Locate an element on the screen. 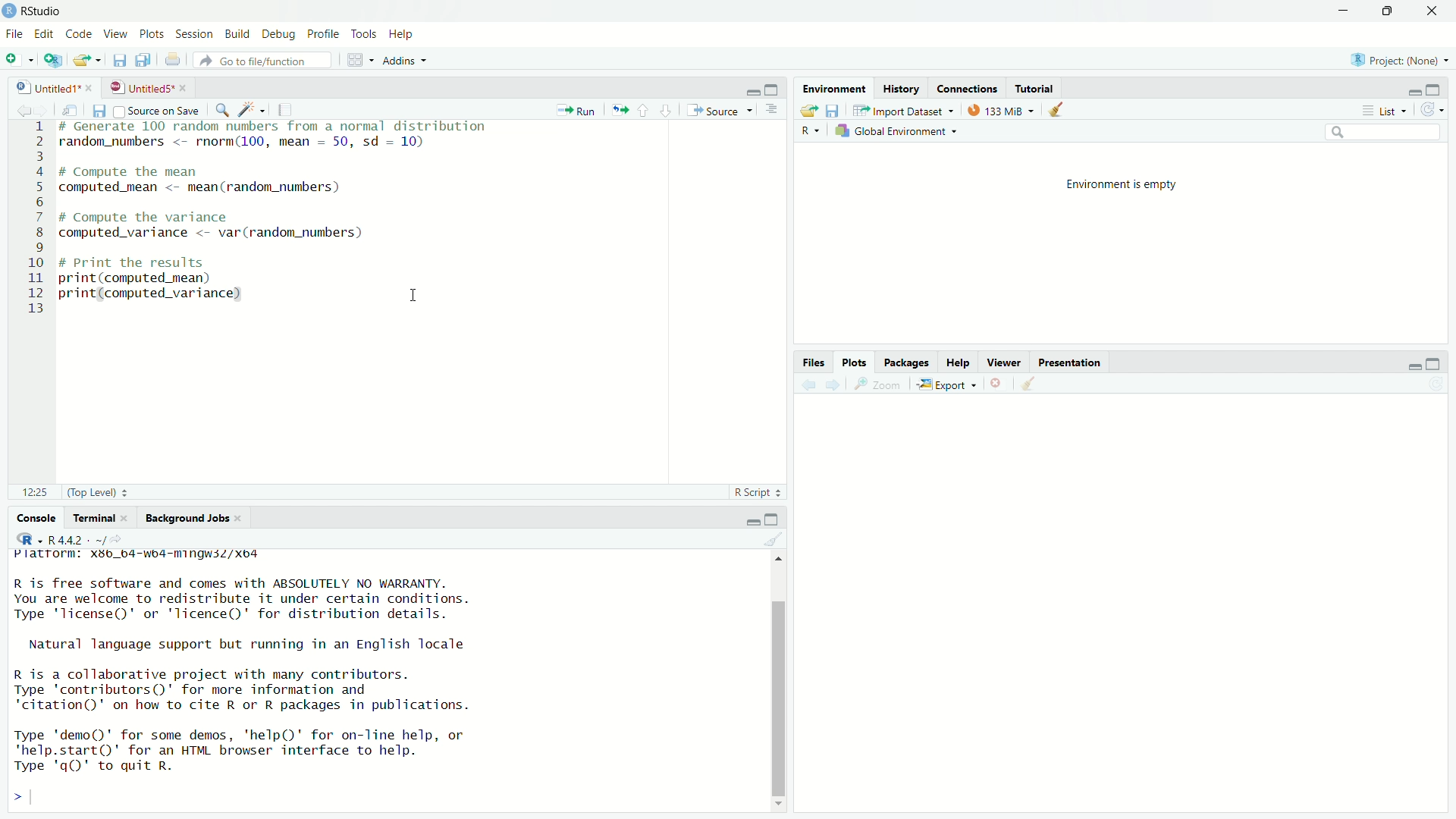 This screenshot has width=1456, height=819. maximize is located at coordinates (1441, 362).